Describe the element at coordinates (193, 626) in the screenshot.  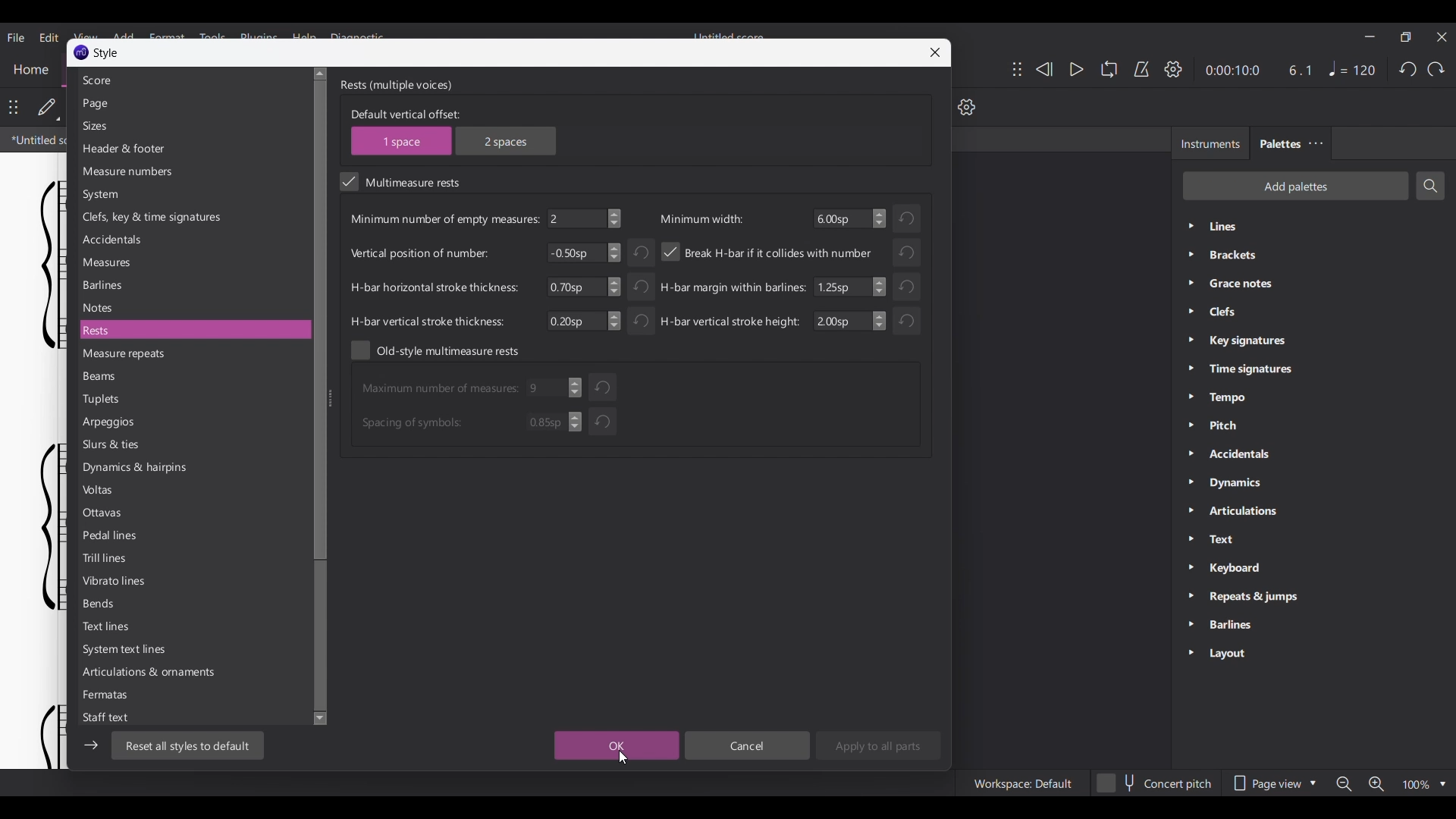
I see `Text lines` at that location.